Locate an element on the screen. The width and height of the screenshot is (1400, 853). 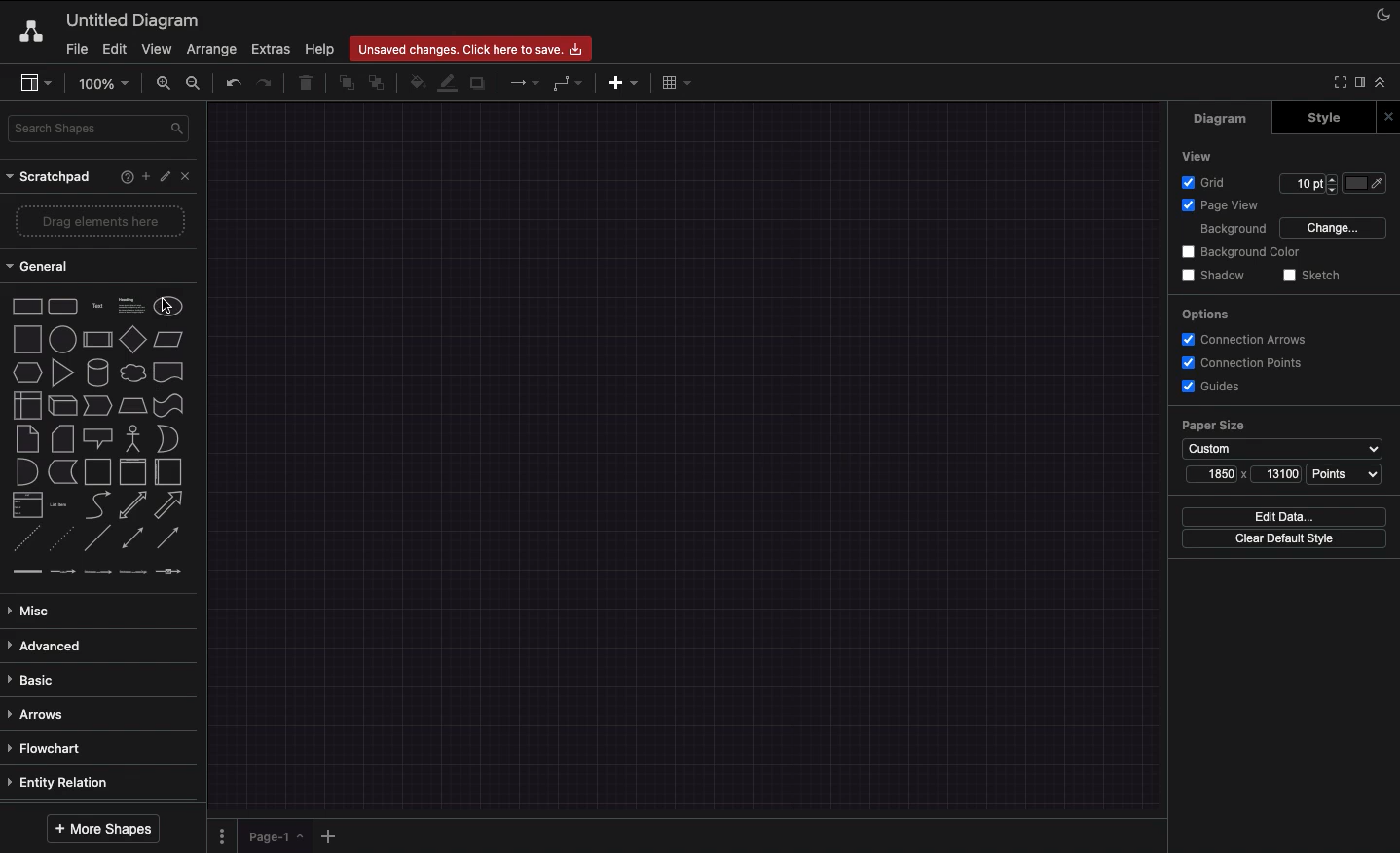
Circle is located at coordinates (168, 306).